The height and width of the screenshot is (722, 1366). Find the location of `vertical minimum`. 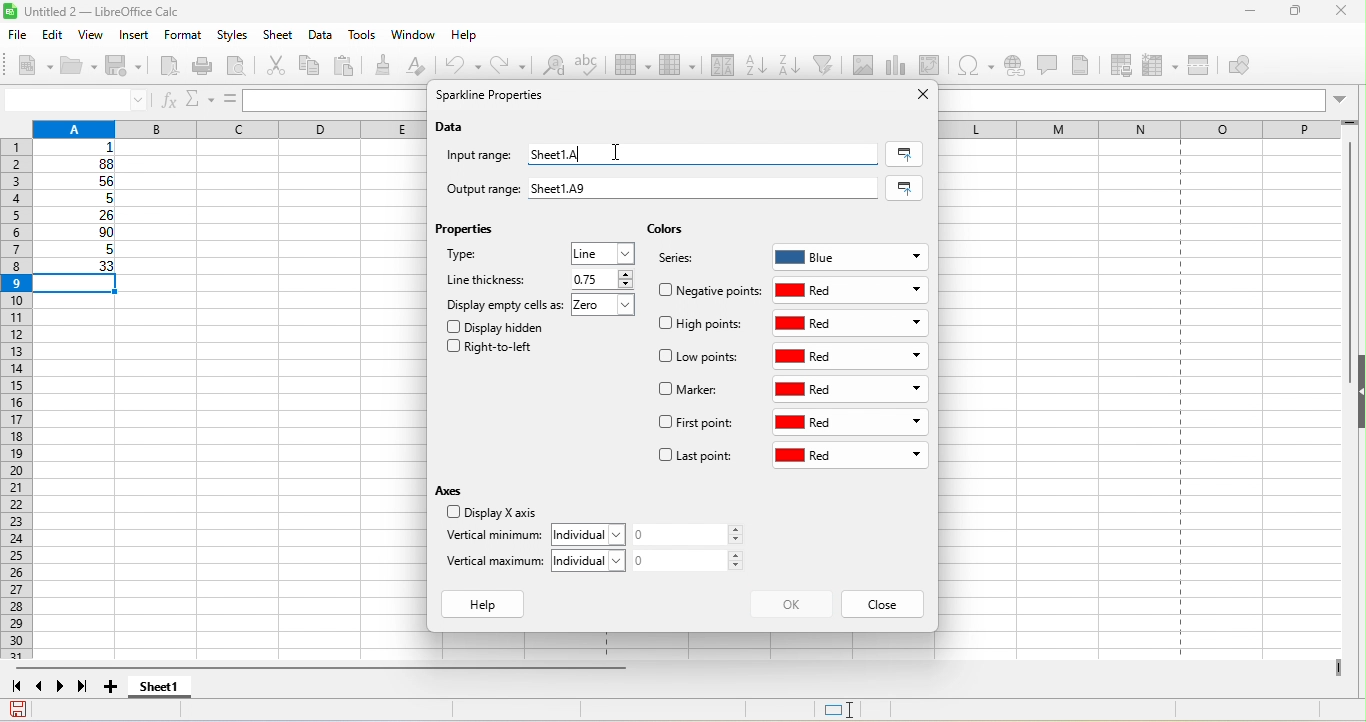

vertical minimum is located at coordinates (493, 537).